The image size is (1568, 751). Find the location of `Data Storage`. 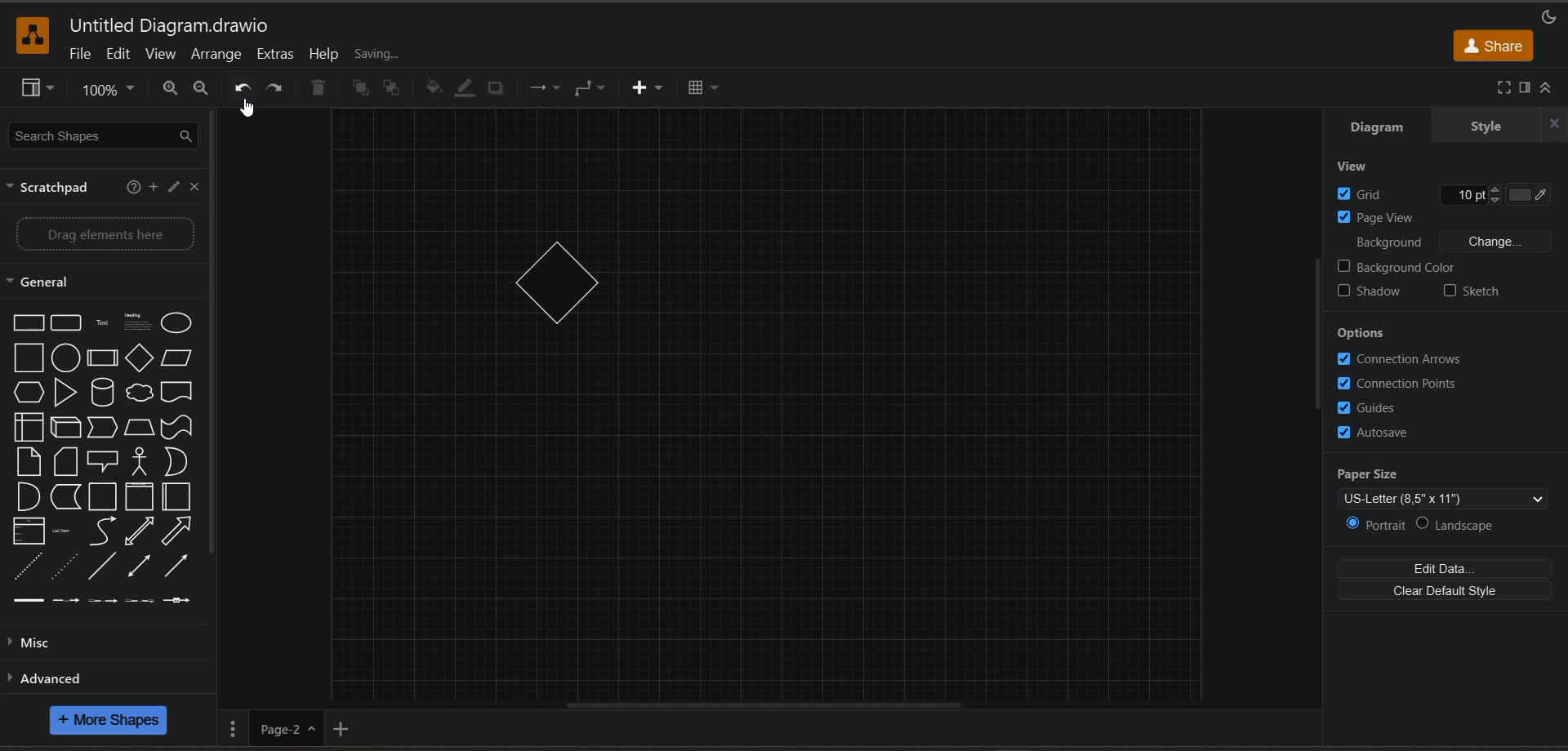

Data Storage is located at coordinates (65, 497).